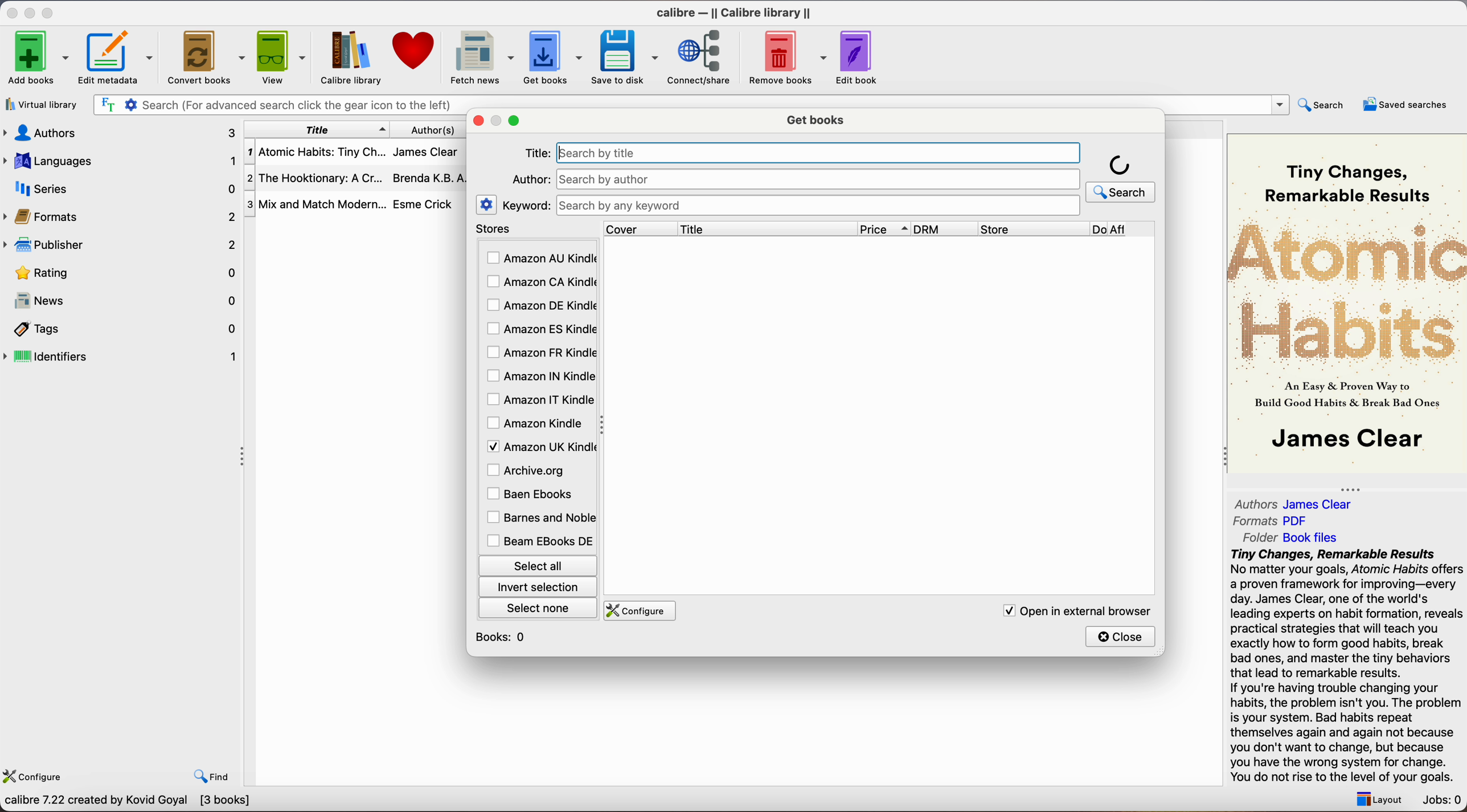  Describe the element at coordinates (1073, 610) in the screenshot. I see `open in external browser` at that location.